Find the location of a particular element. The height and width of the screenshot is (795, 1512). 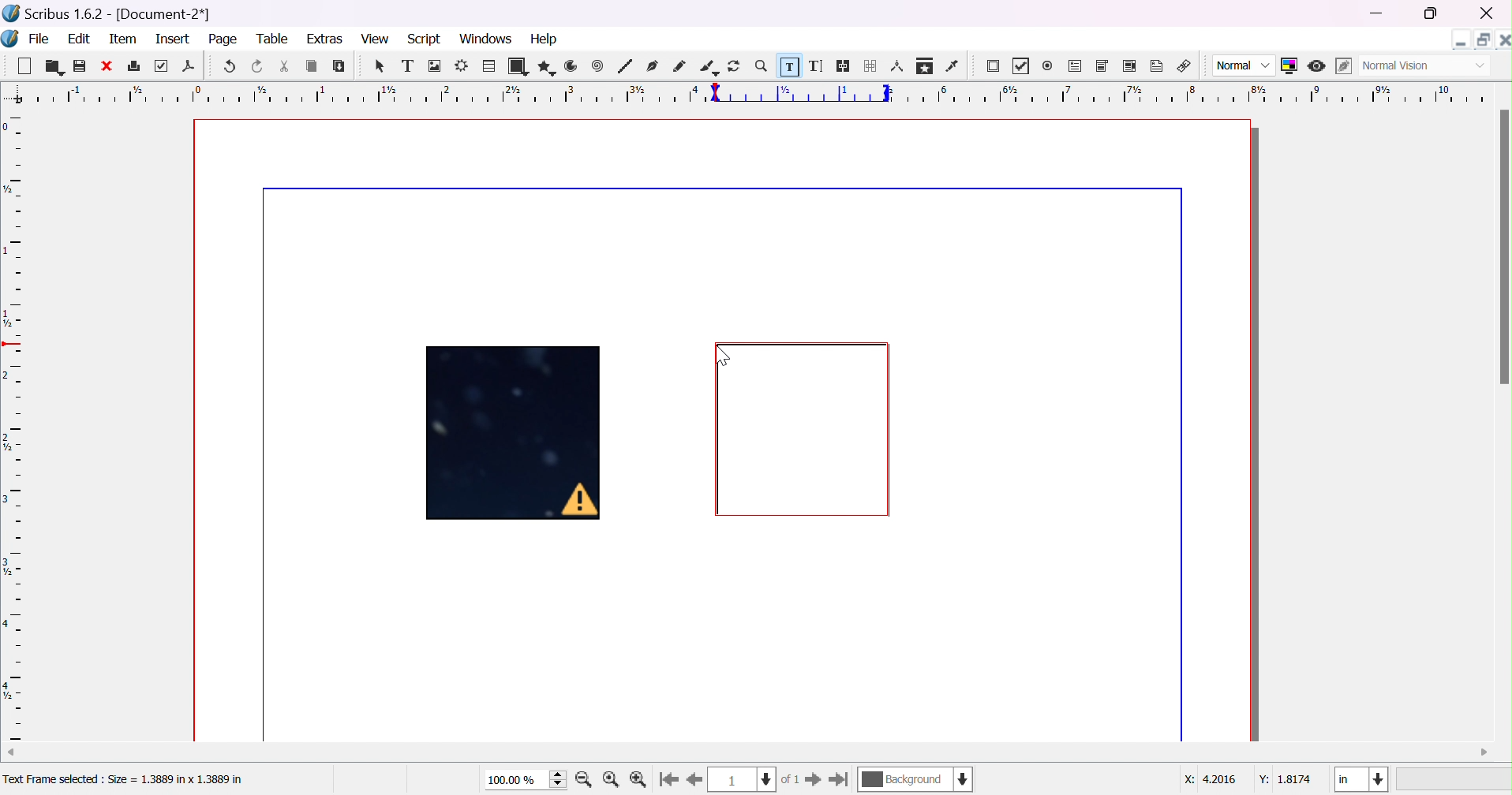

bezier curve is located at coordinates (653, 65).